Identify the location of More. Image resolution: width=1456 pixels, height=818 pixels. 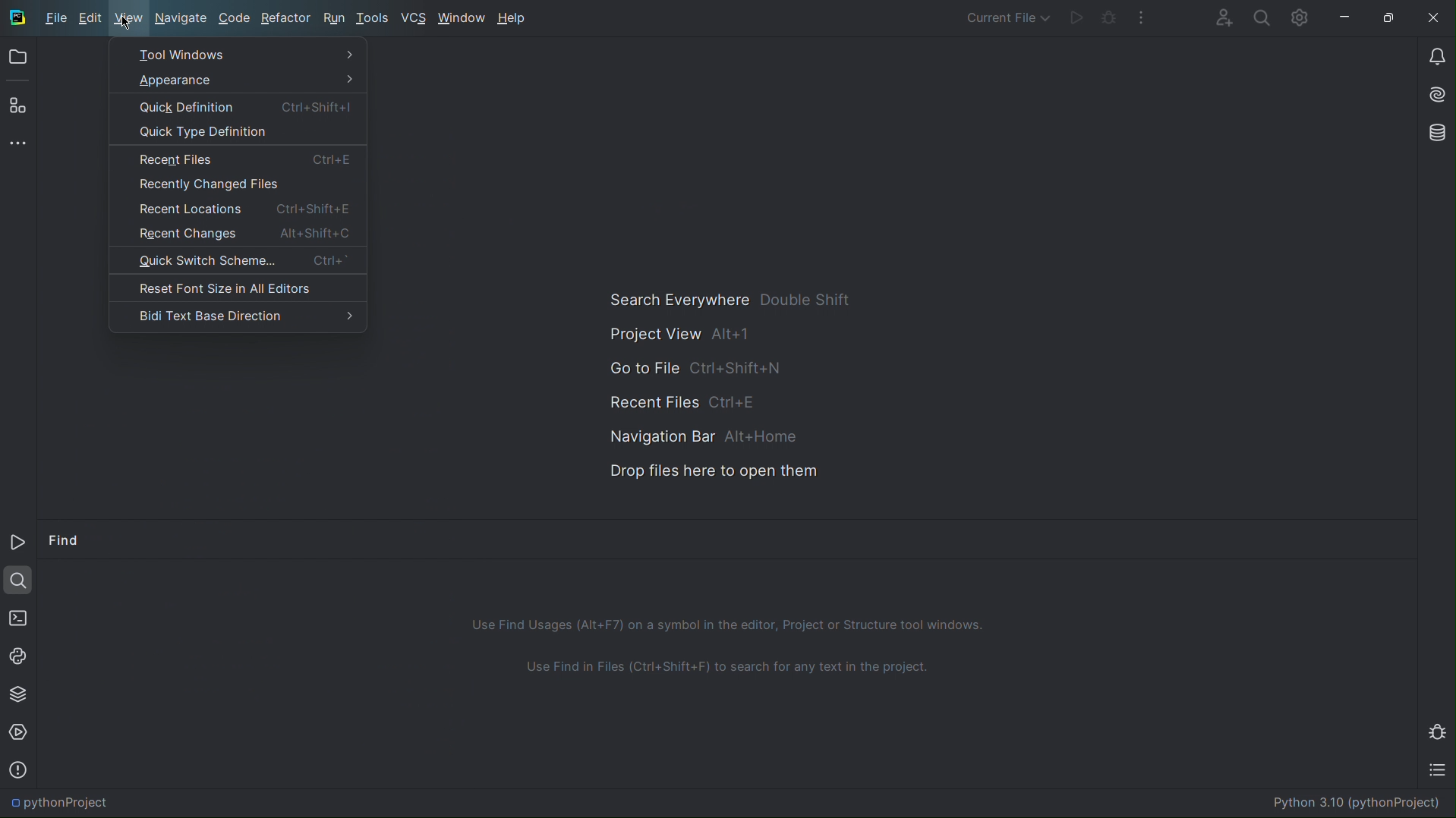
(1369, 538).